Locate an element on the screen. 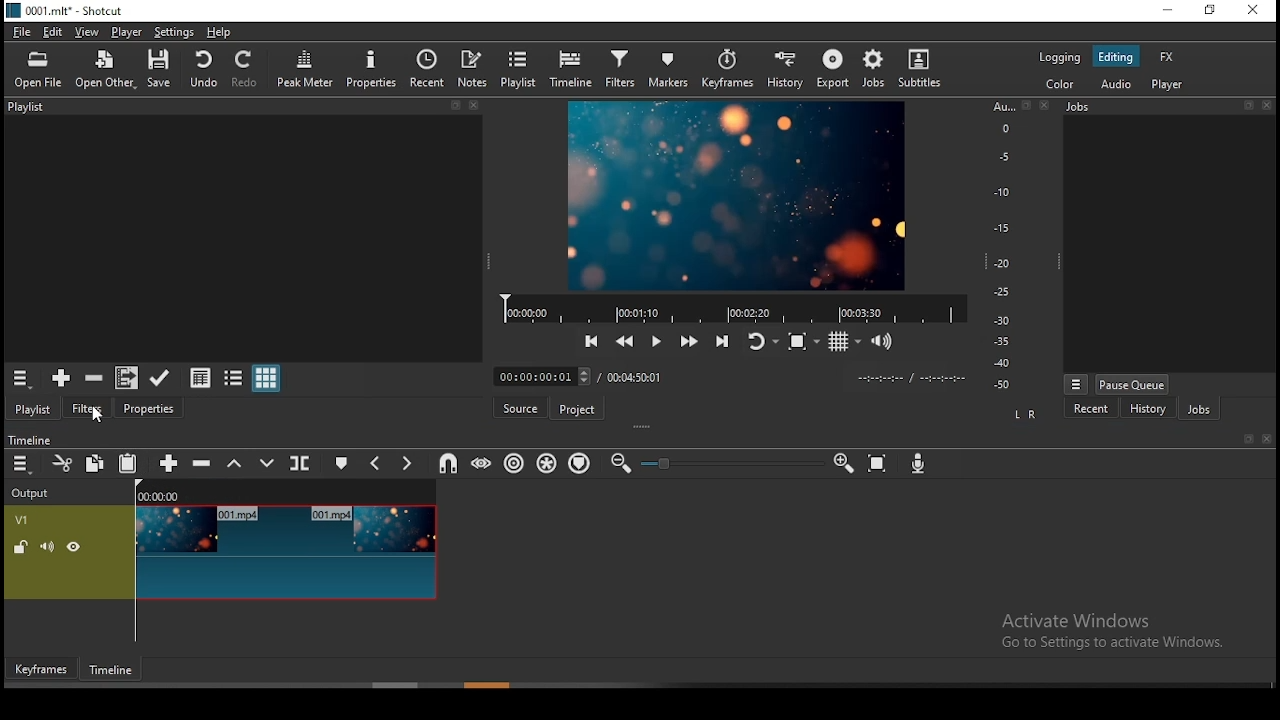  snap is located at coordinates (444, 464).